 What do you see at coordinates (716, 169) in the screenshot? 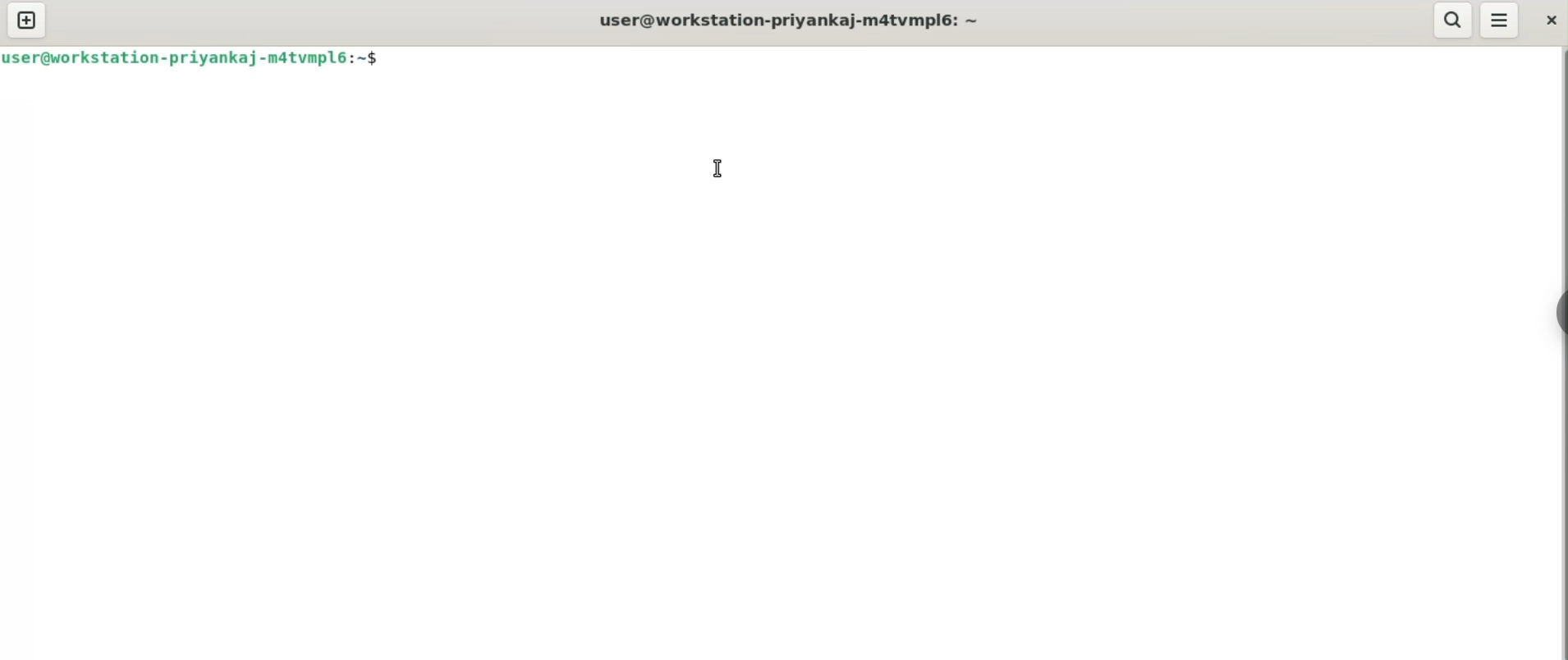
I see `cursor` at bounding box center [716, 169].